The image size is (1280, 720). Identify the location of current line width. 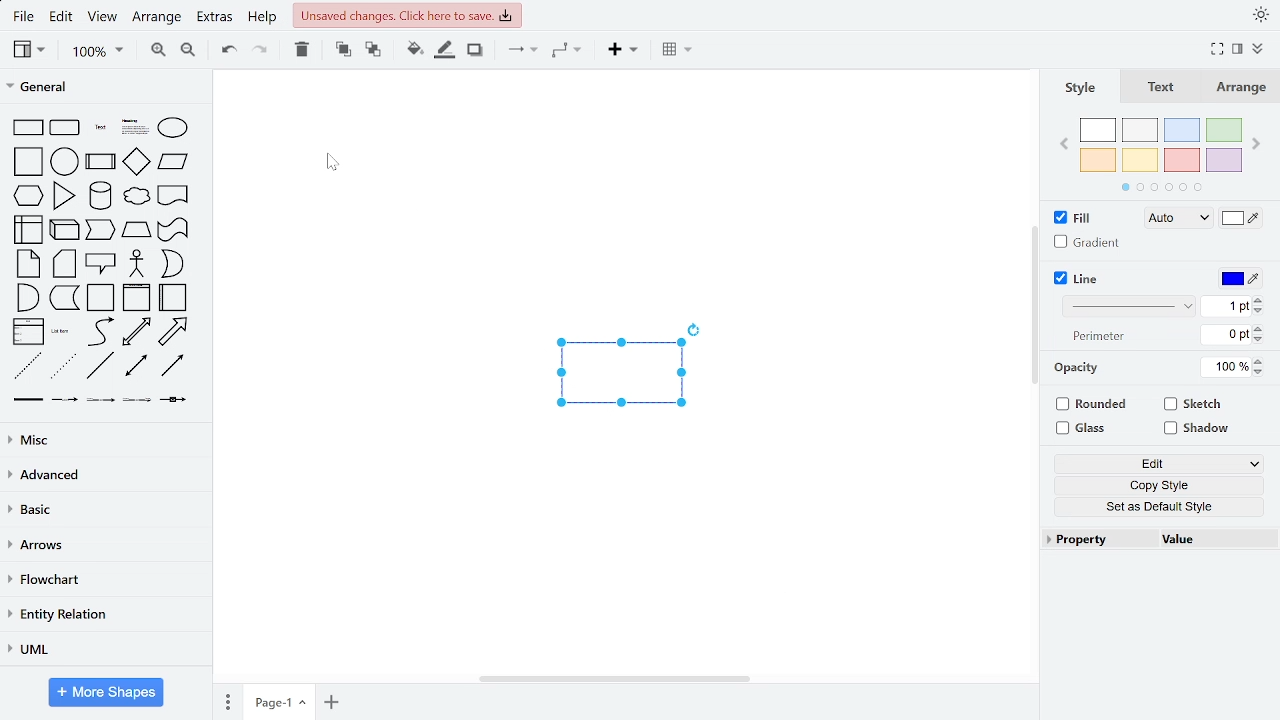
(1226, 307).